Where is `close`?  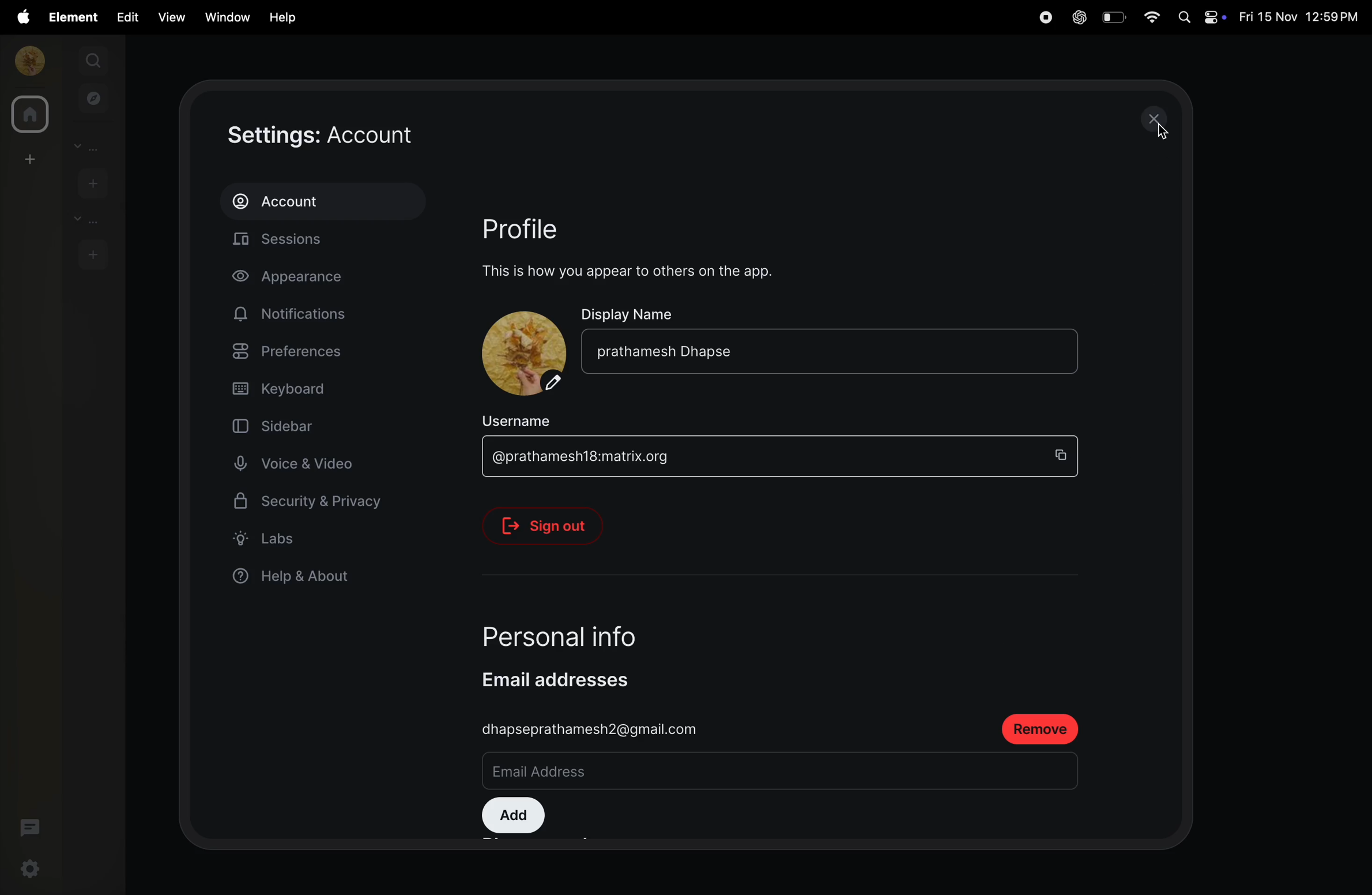
close is located at coordinates (1158, 118).